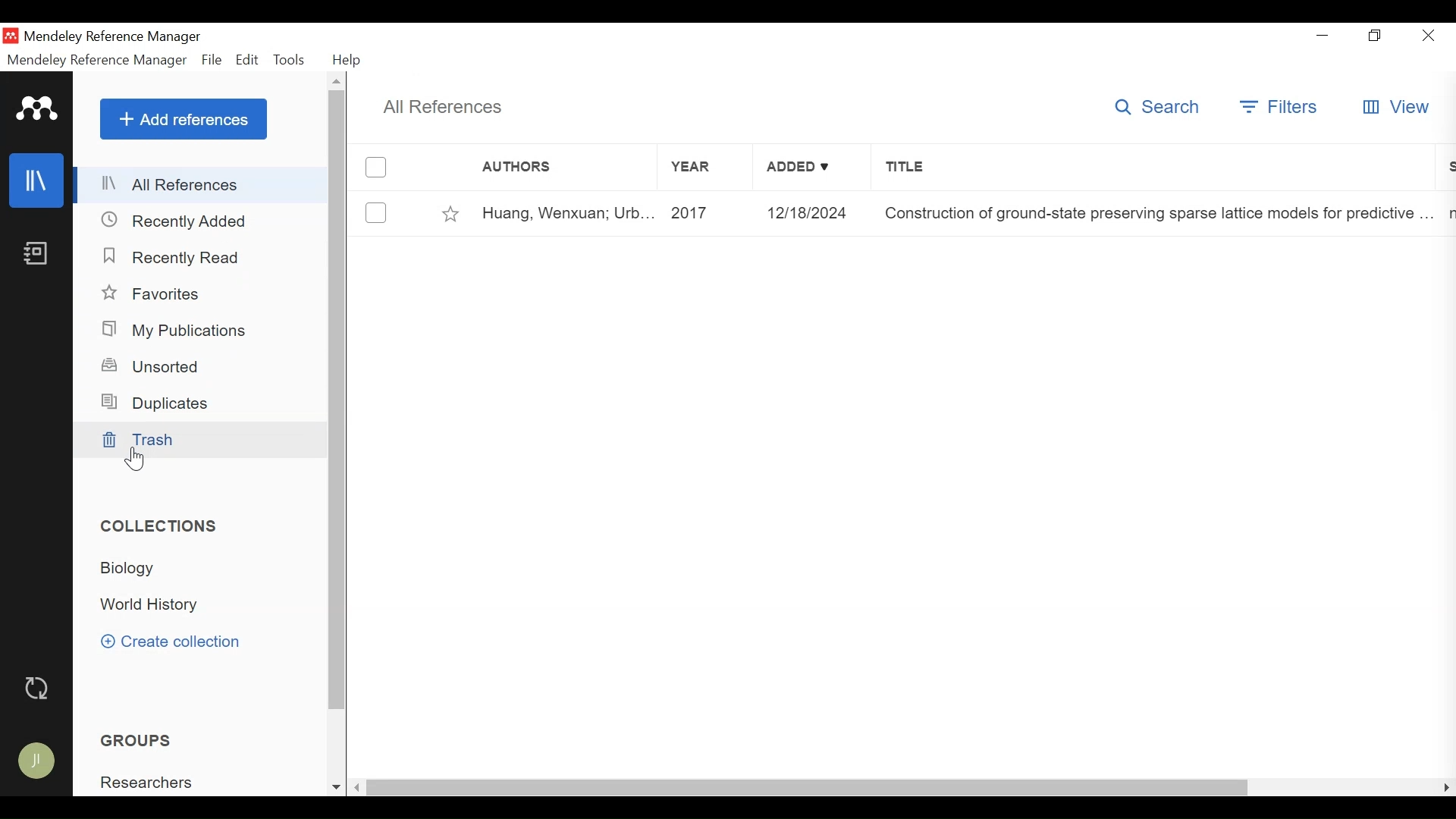 This screenshot has width=1456, height=819. Describe the element at coordinates (570, 215) in the screenshot. I see `Huang, Wenxuan; Urb...` at that location.